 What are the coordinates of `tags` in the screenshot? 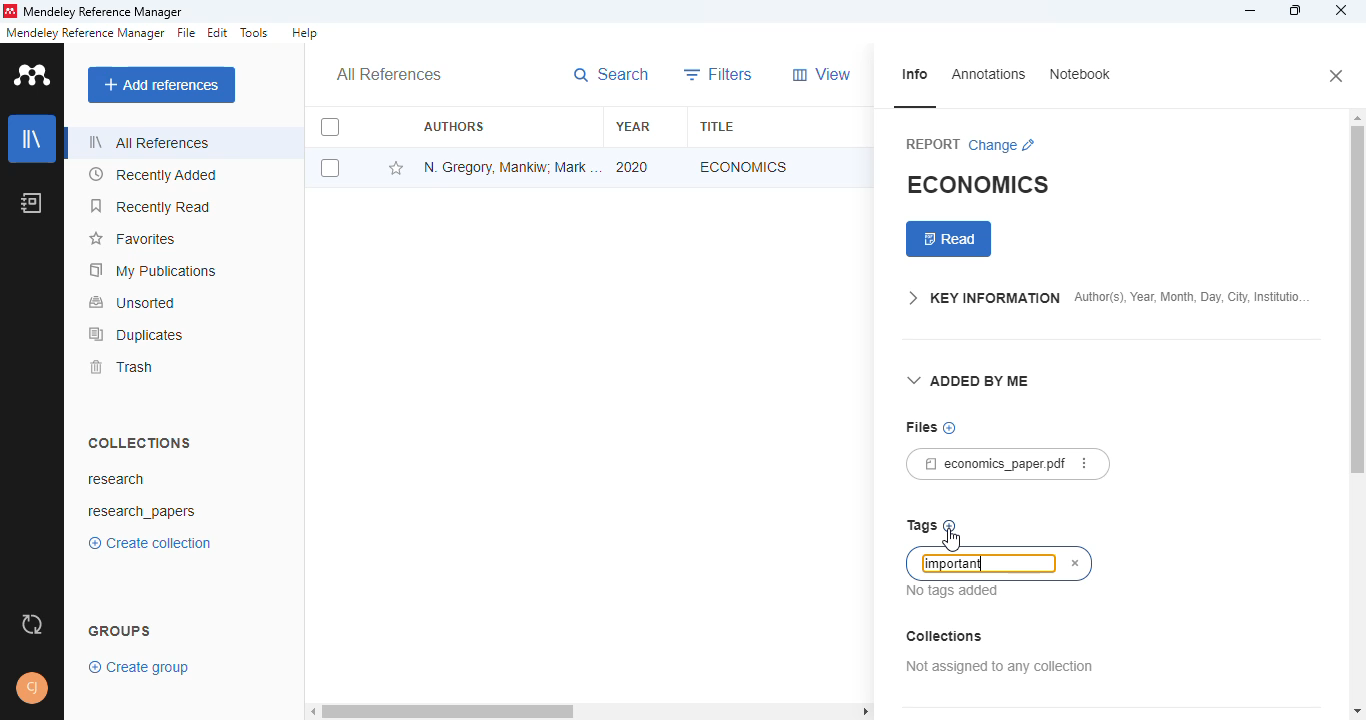 It's located at (921, 526).